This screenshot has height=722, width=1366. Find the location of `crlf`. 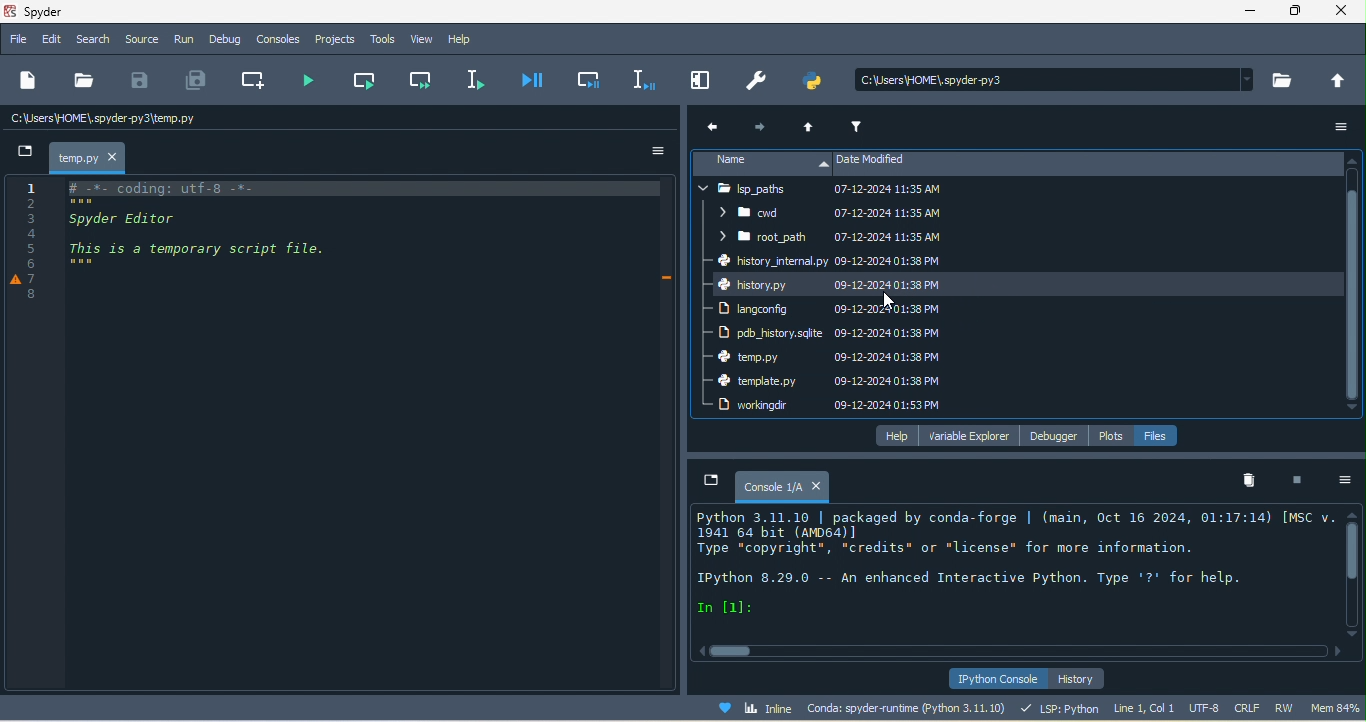

crlf is located at coordinates (1251, 707).